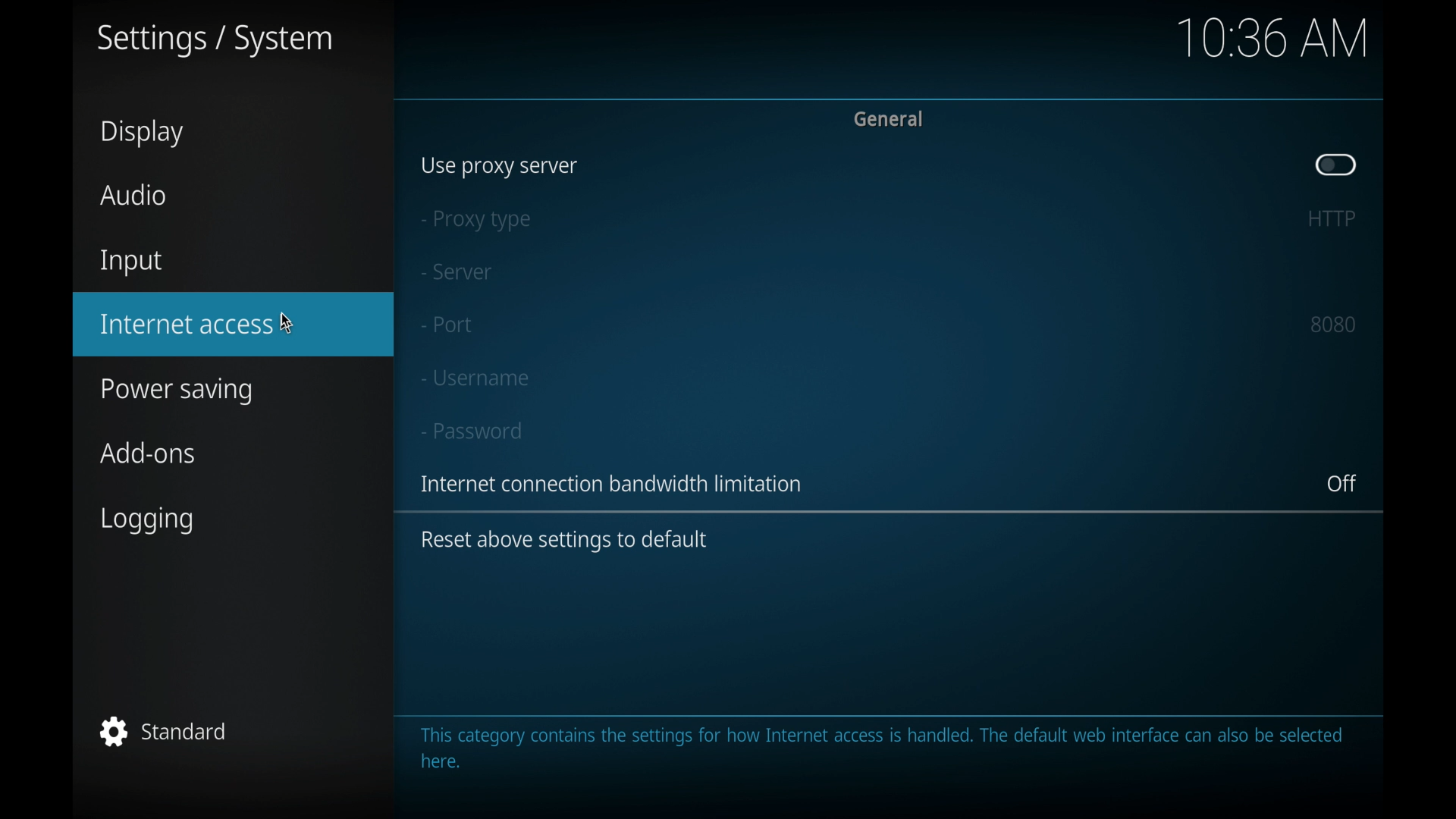  I want to click on password, so click(472, 431).